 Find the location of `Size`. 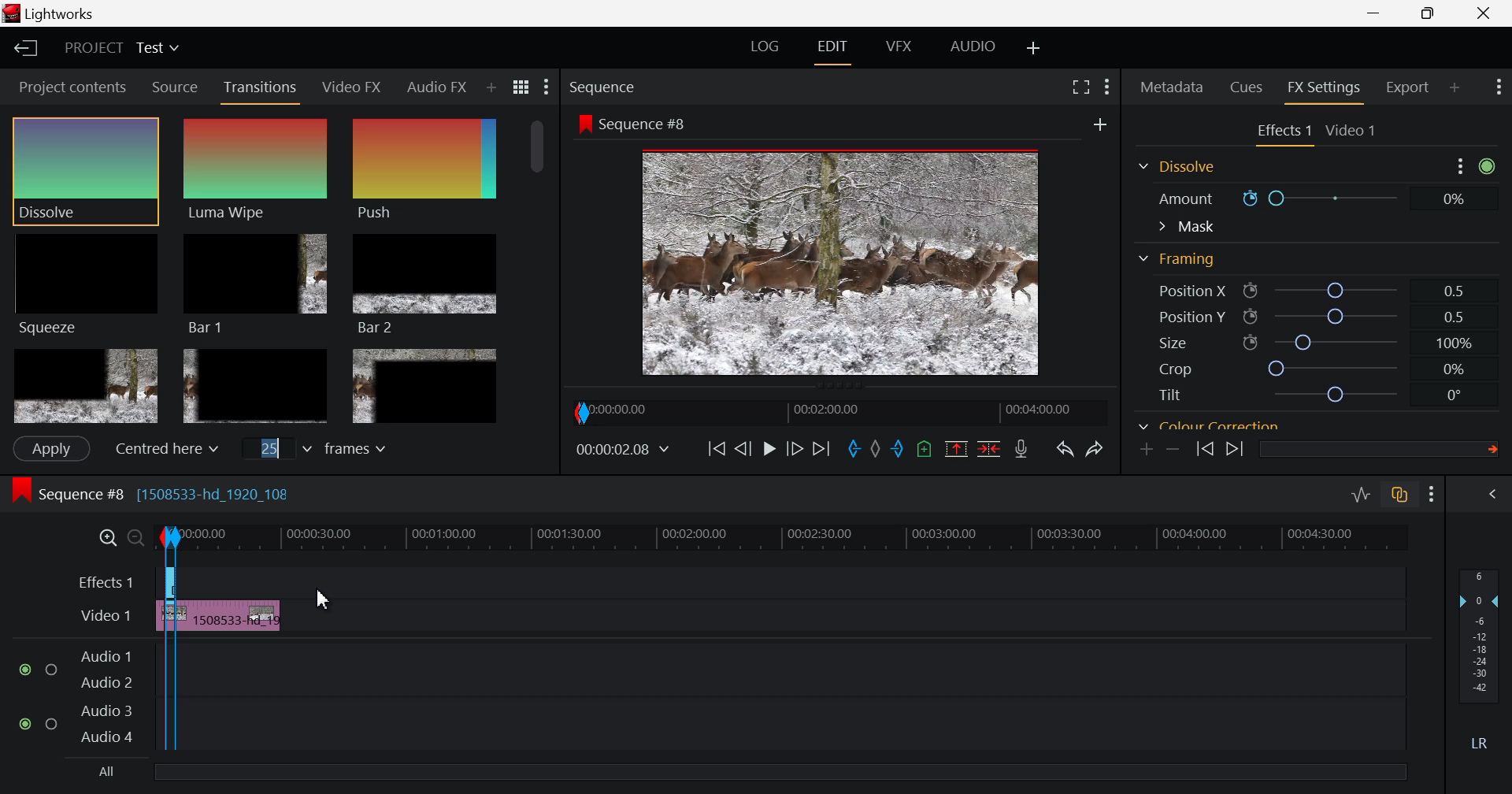

Size is located at coordinates (1309, 250).